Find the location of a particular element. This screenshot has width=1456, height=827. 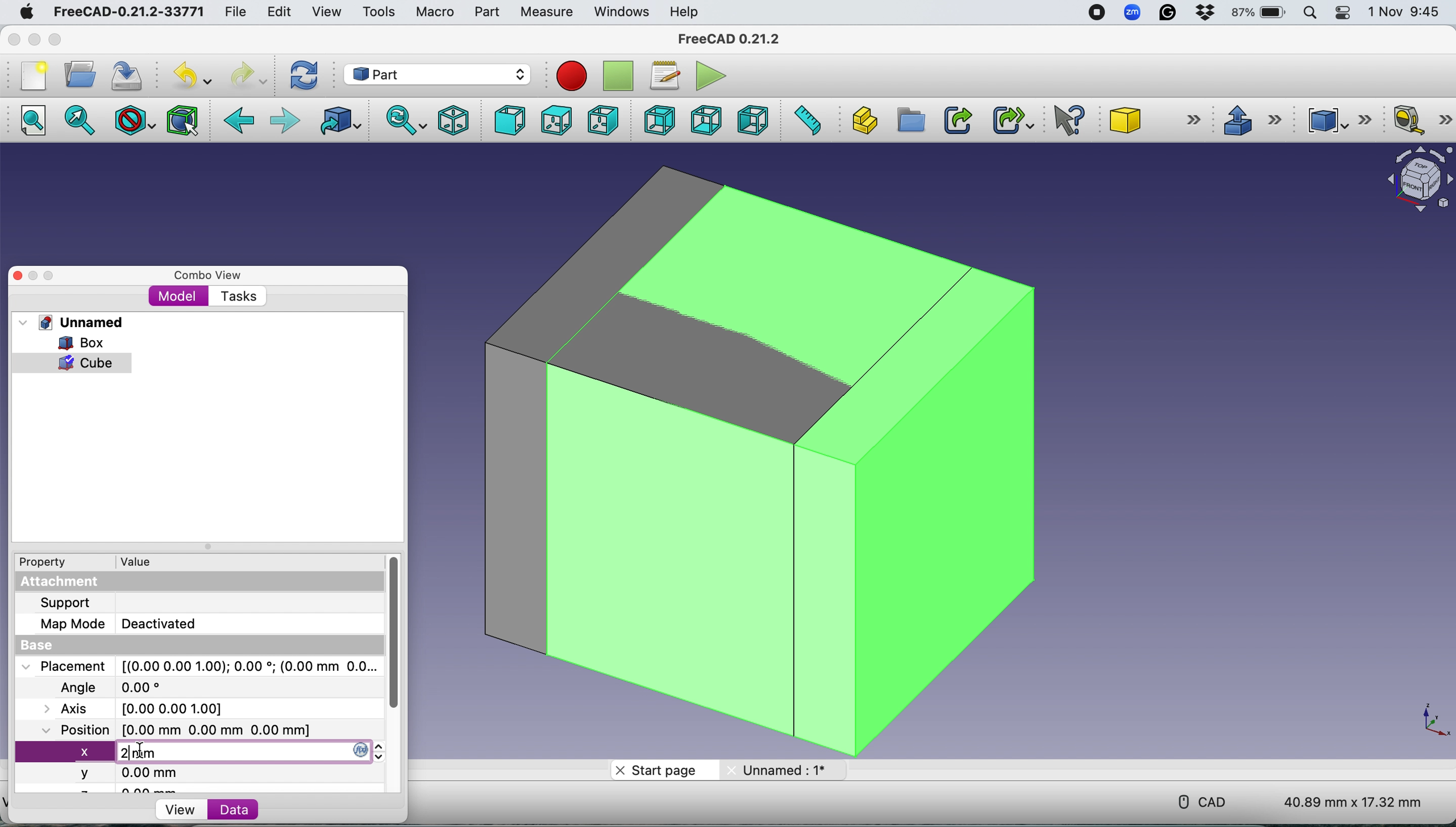

Close is located at coordinates (18, 276).